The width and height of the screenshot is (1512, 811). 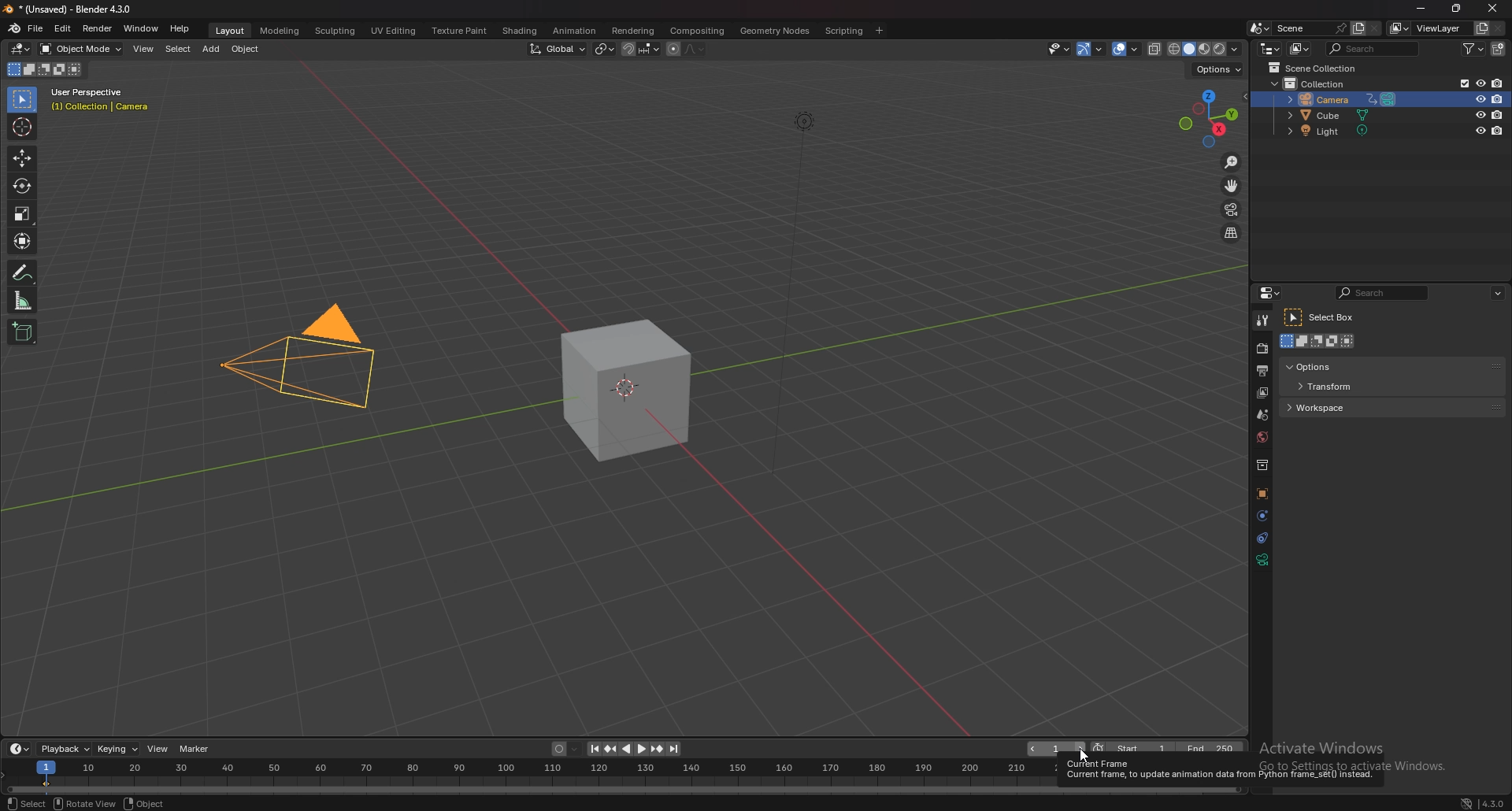 I want to click on scale, so click(x=24, y=213).